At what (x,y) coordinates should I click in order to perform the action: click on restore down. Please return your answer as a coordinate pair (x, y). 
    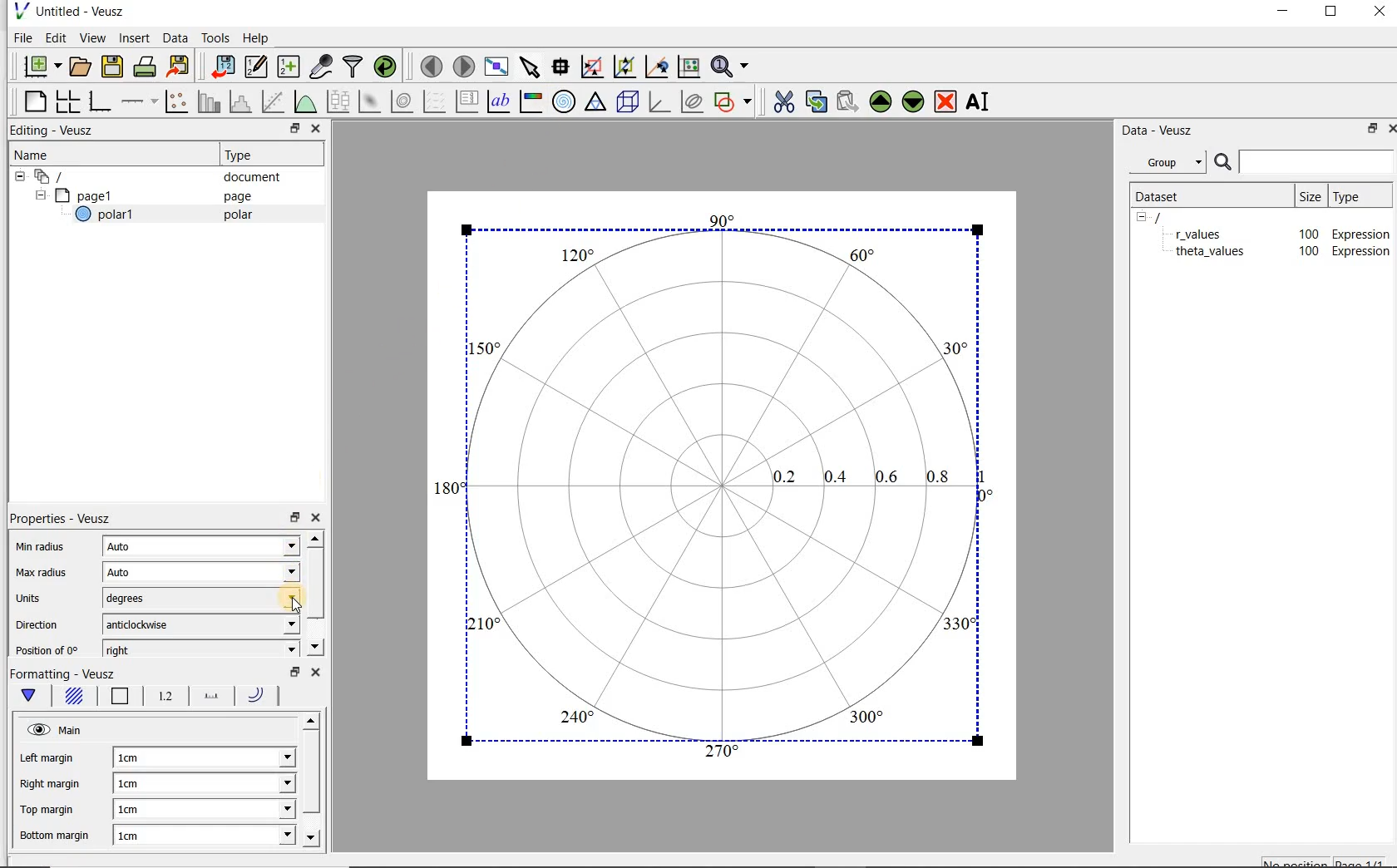
    Looking at the image, I should click on (292, 670).